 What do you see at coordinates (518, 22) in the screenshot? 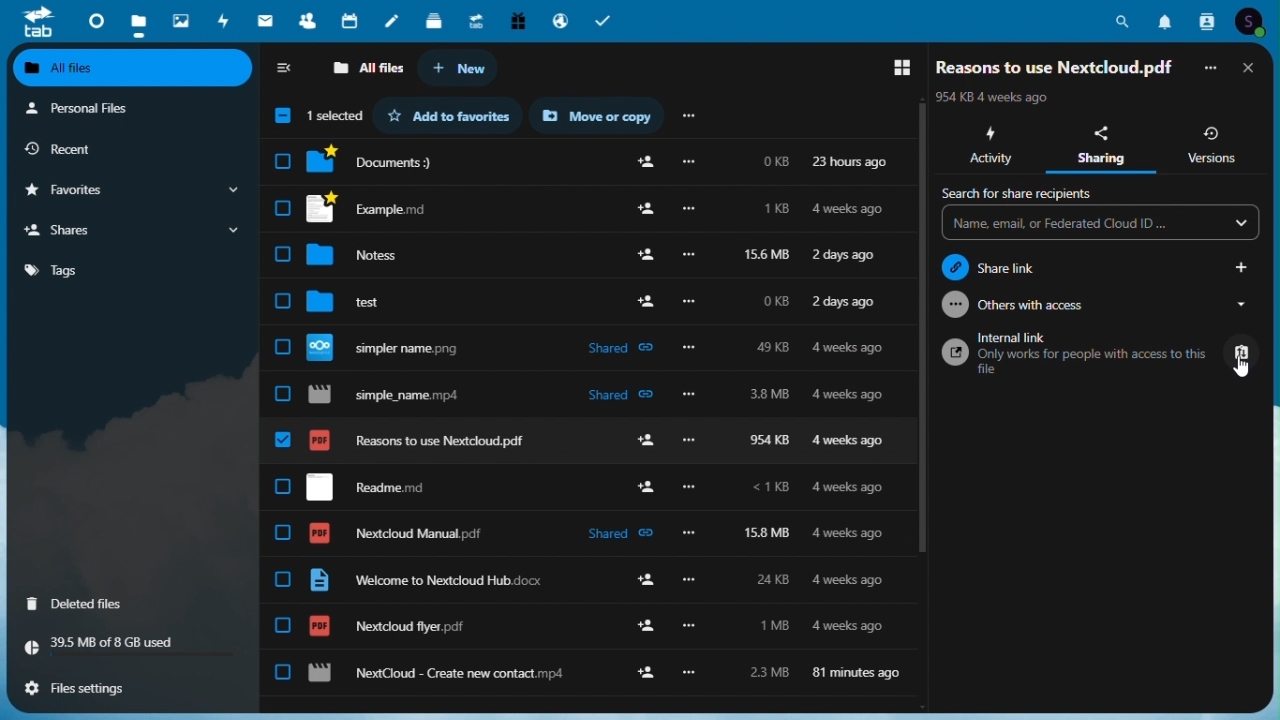
I see `Free trial` at bounding box center [518, 22].